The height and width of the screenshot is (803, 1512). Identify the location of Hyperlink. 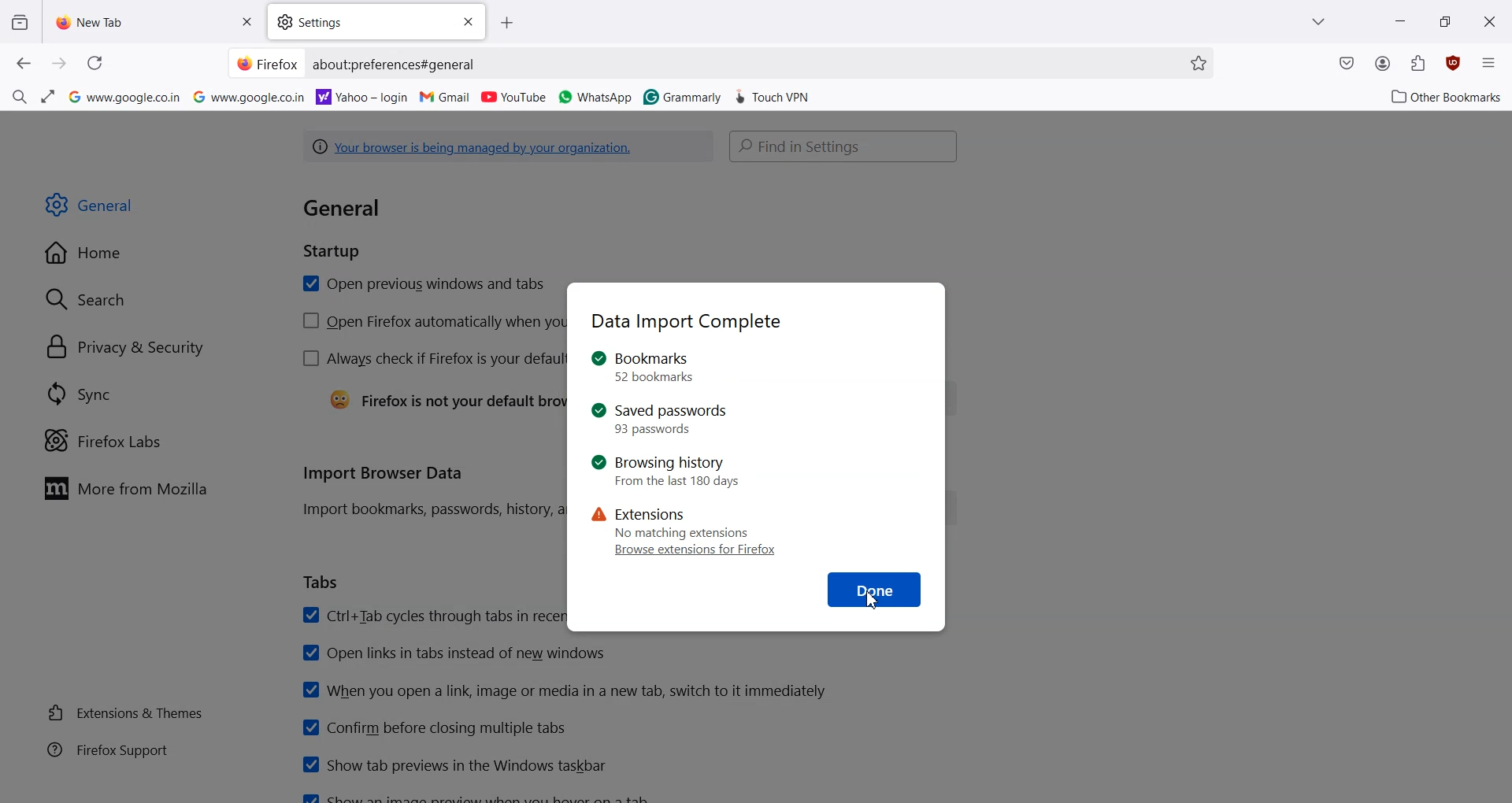
(397, 65).